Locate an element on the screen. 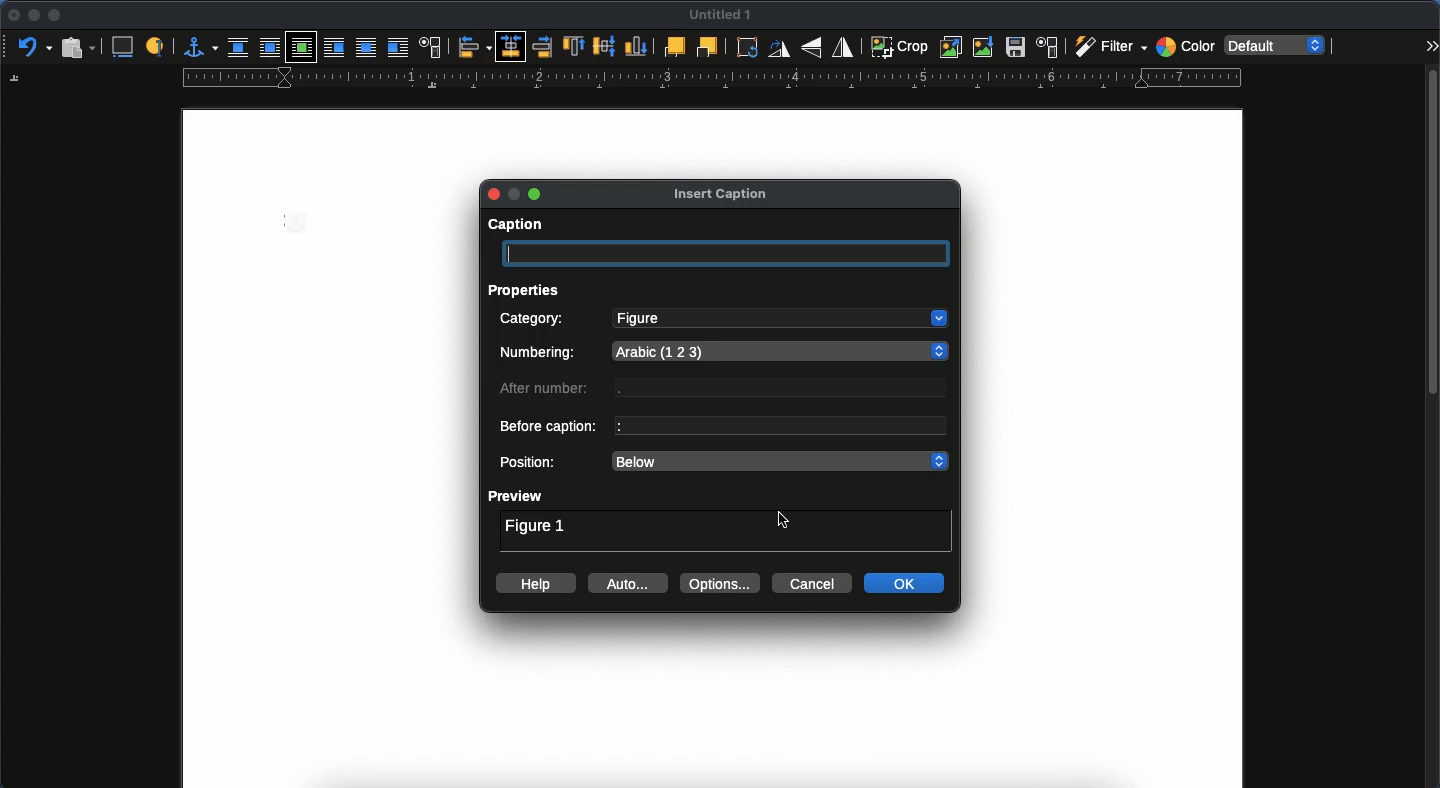 Image resolution: width=1440 pixels, height=788 pixels. middle to anchor is located at coordinates (606, 47).